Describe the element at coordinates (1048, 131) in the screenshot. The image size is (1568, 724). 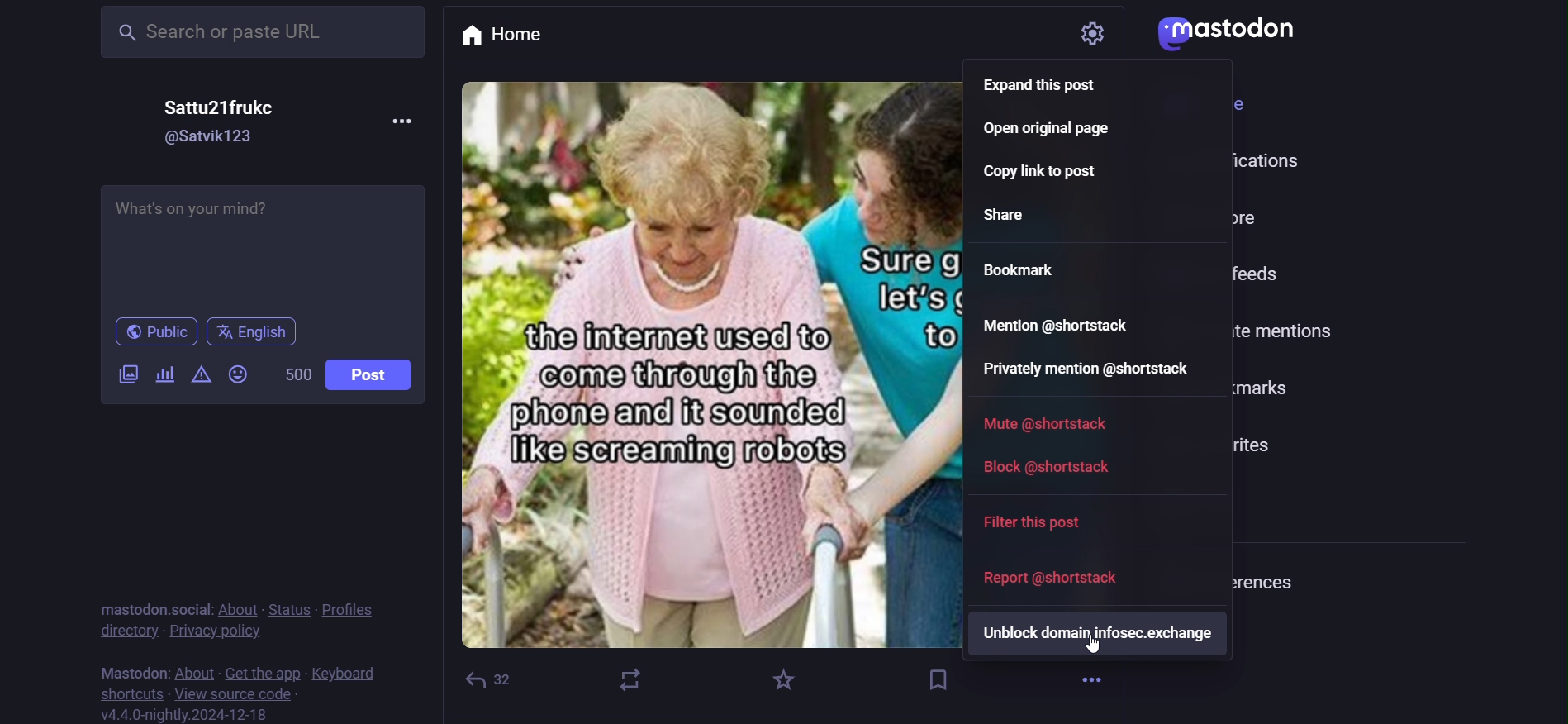
I see `open original page` at that location.